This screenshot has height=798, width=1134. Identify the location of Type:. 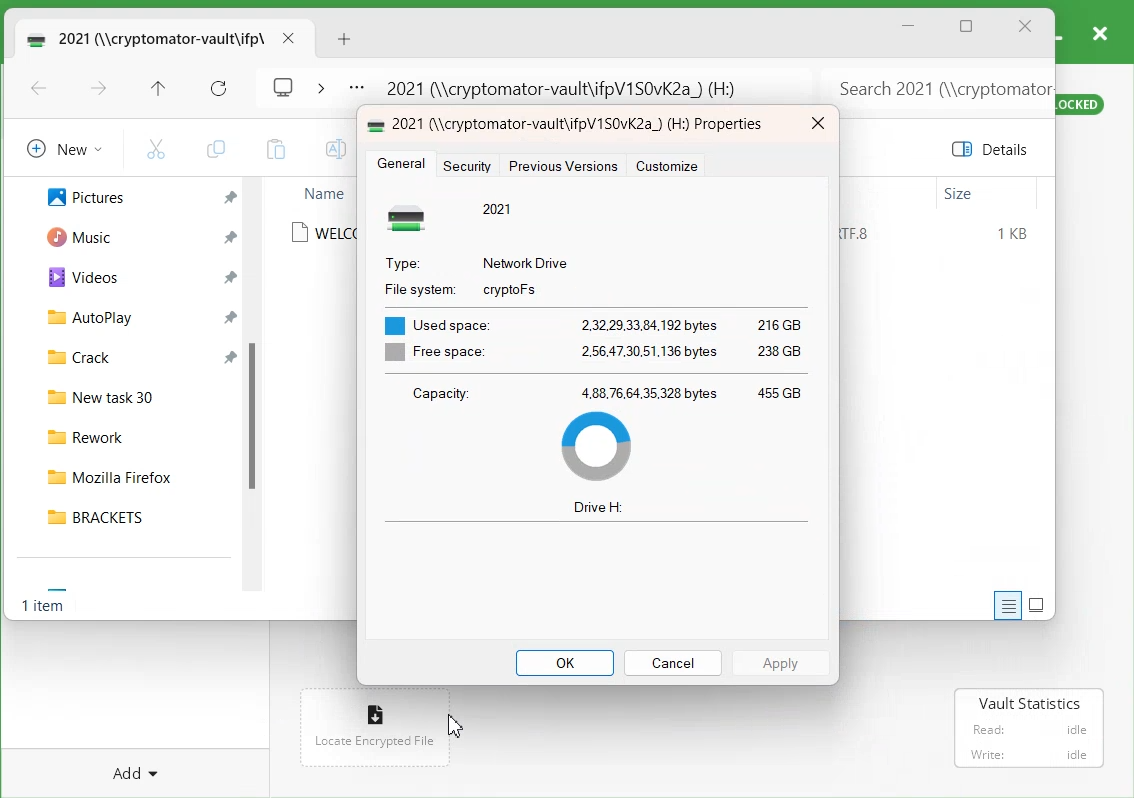
(402, 261).